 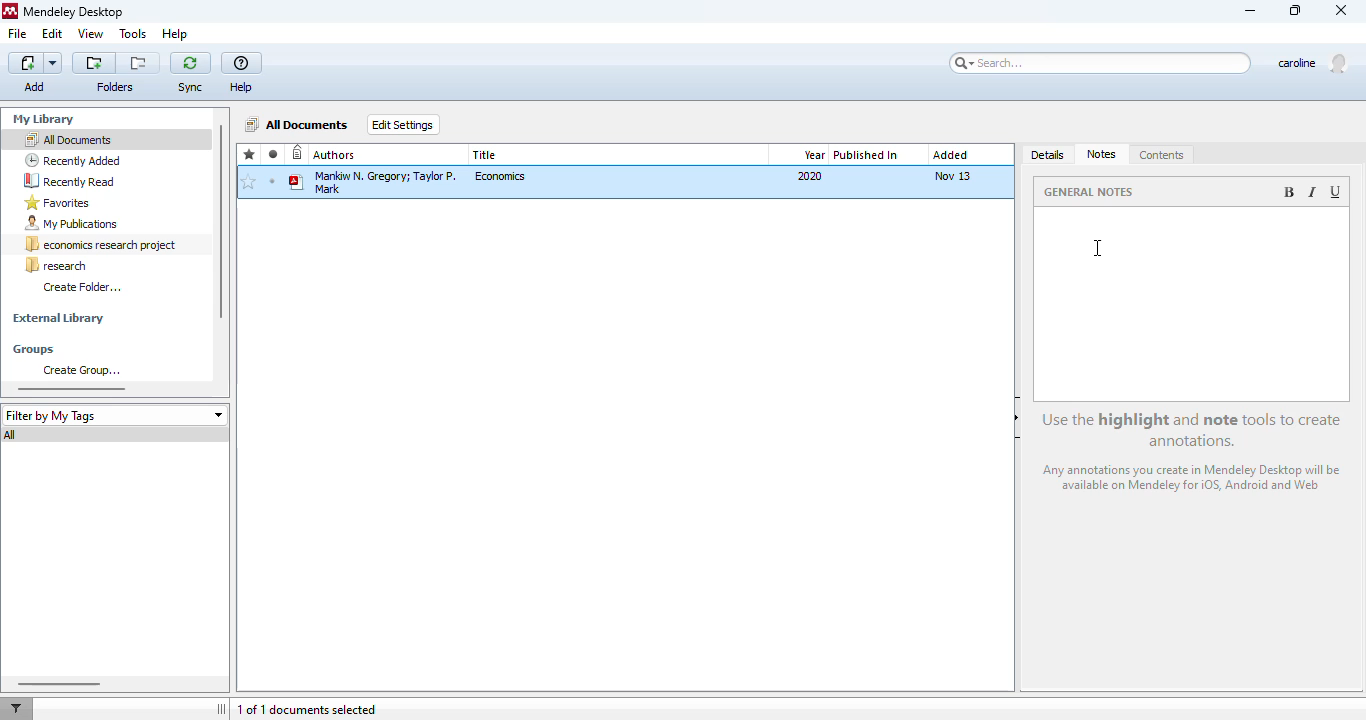 What do you see at coordinates (58, 319) in the screenshot?
I see `external library` at bounding box center [58, 319].